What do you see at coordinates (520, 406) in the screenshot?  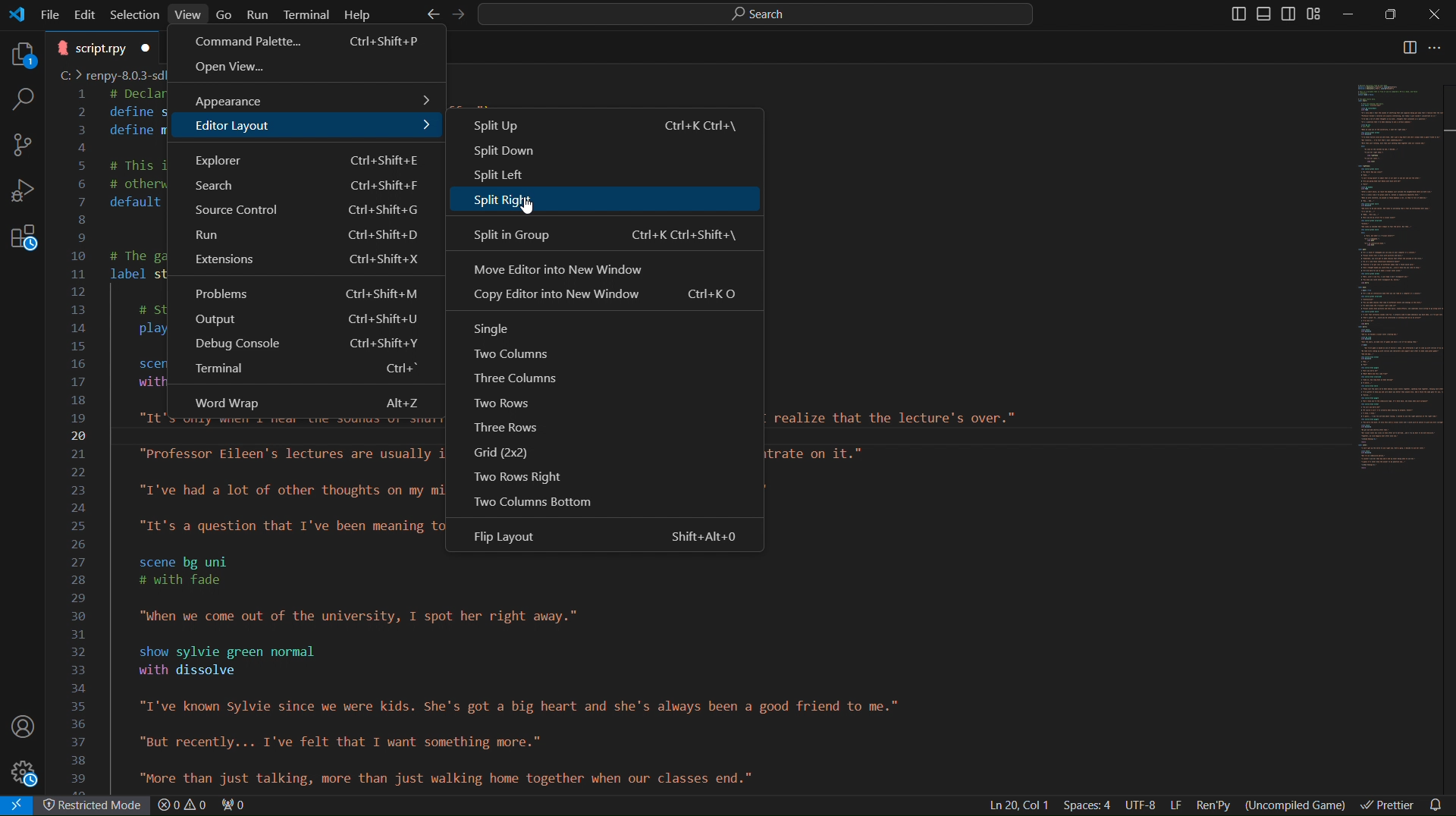 I see `Two Rows` at bounding box center [520, 406].